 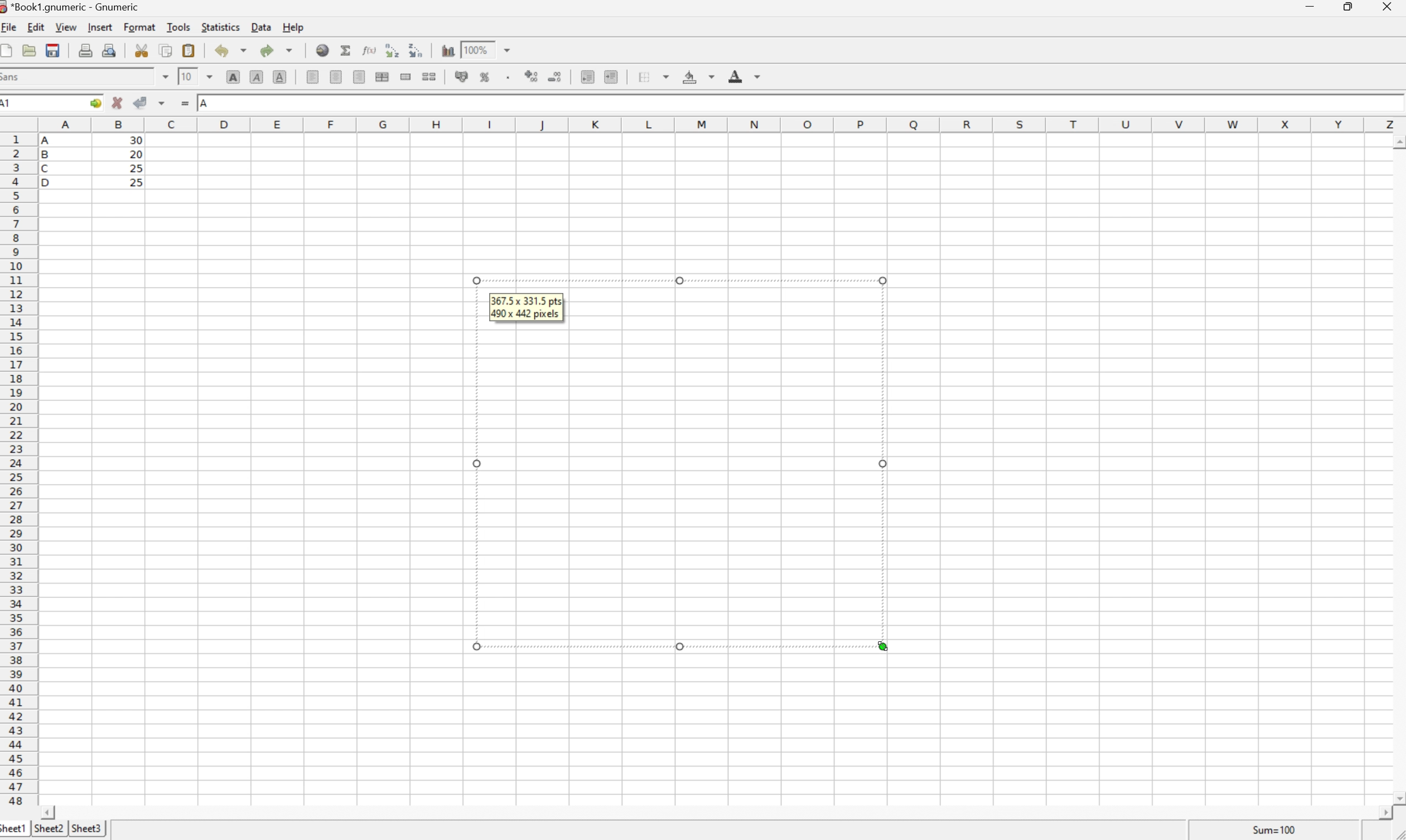 What do you see at coordinates (649, 76) in the screenshot?
I see `Borders` at bounding box center [649, 76].